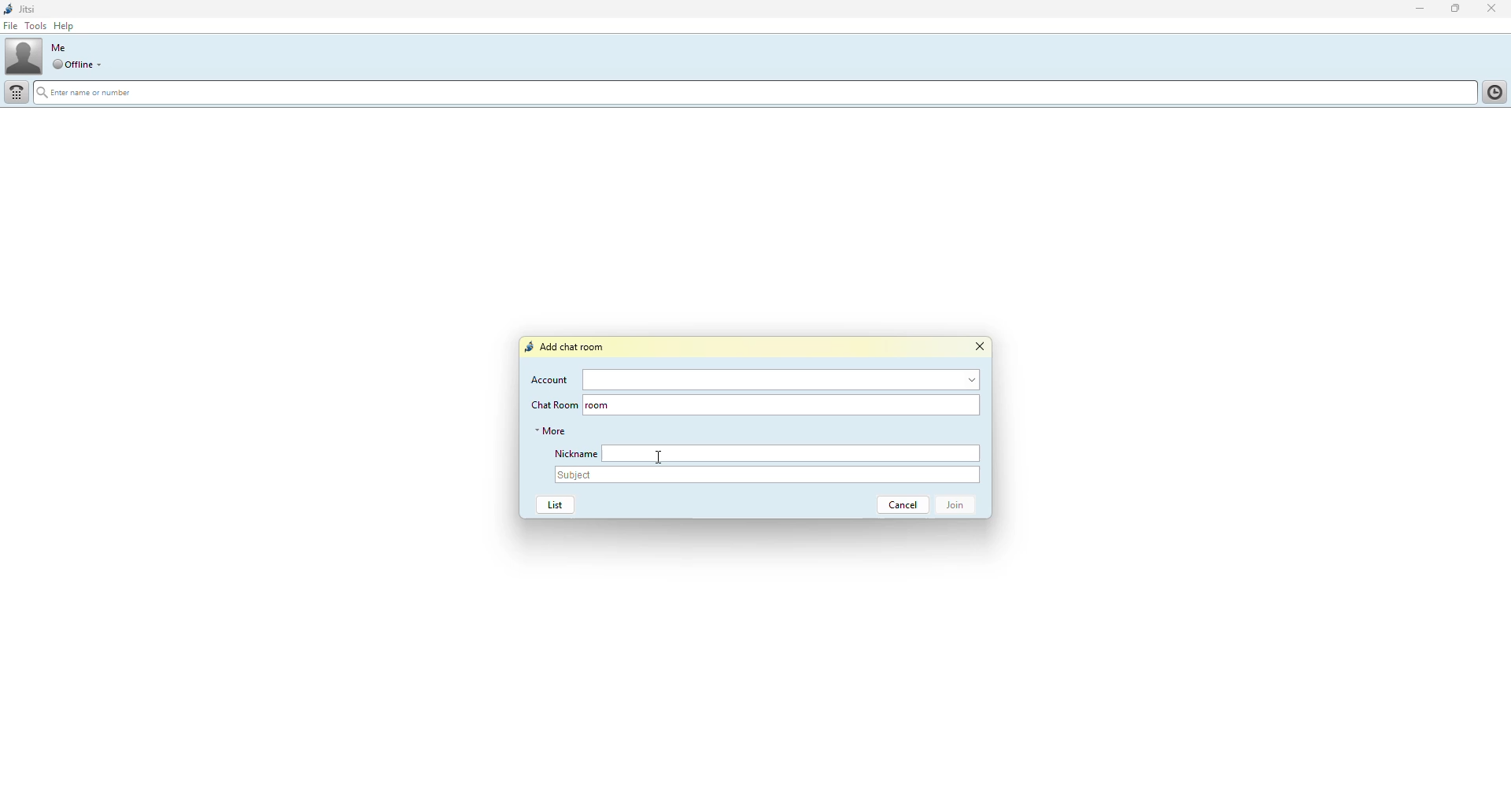 The image size is (1511, 812). Describe the element at coordinates (572, 452) in the screenshot. I see `nickname` at that location.